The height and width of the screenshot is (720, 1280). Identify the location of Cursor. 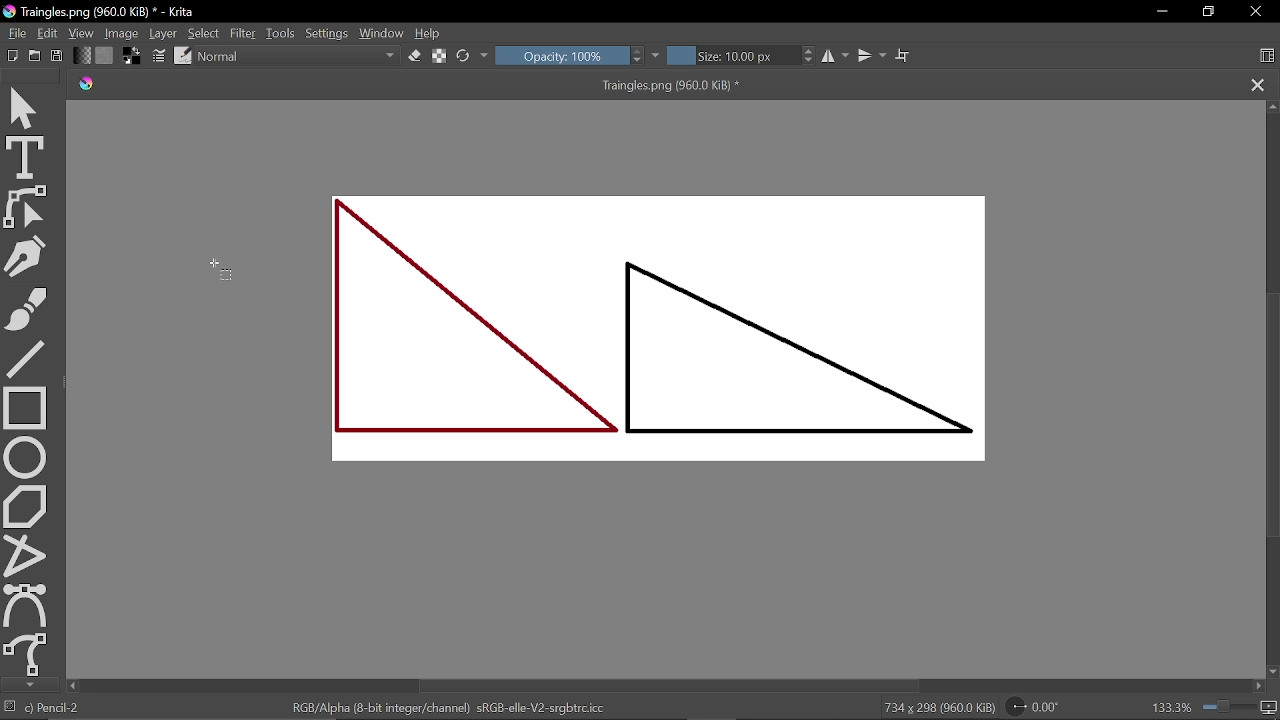
(218, 268).